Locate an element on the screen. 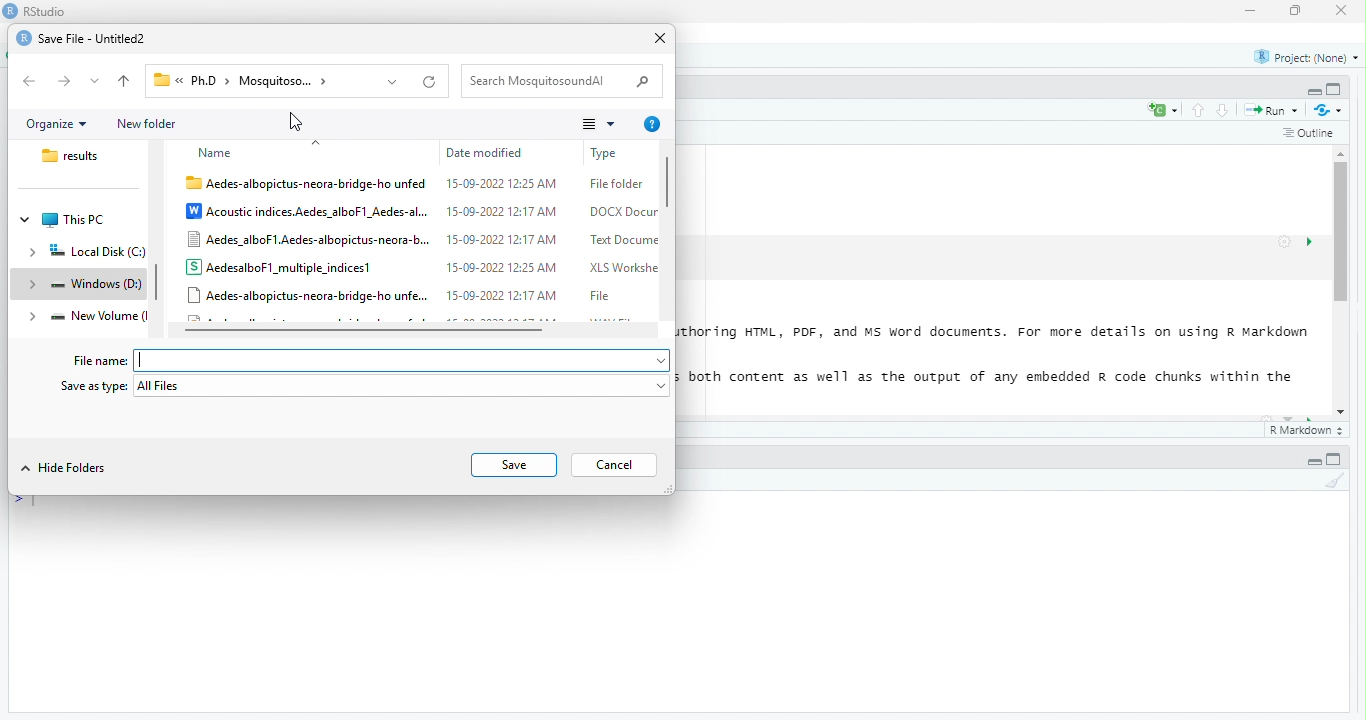 Image resolution: width=1366 pixels, height=720 pixels. RStudio is located at coordinates (46, 11).